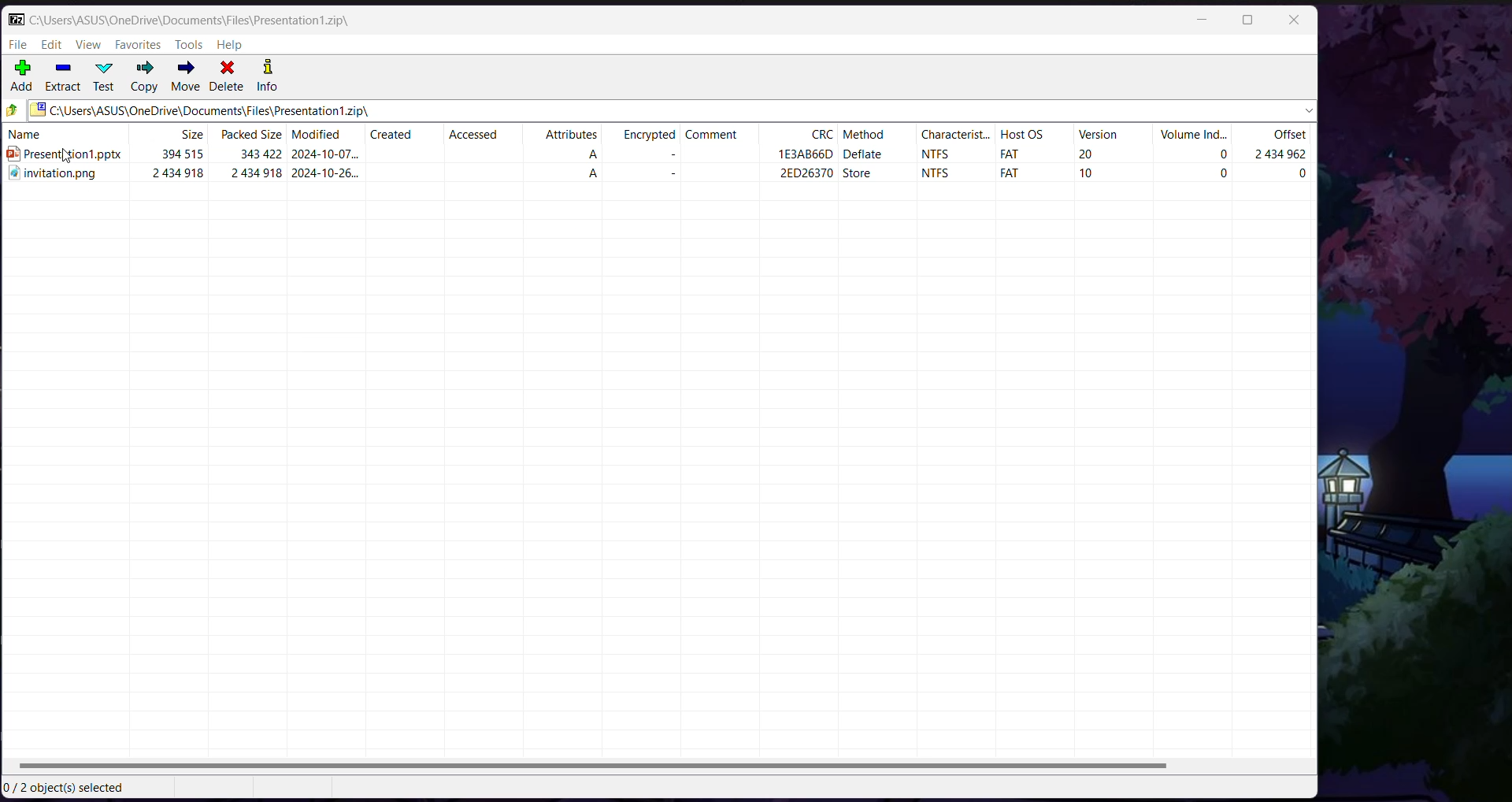 This screenshot has width=1512, height=802. I want to click on —deflate, so click(875, 155).